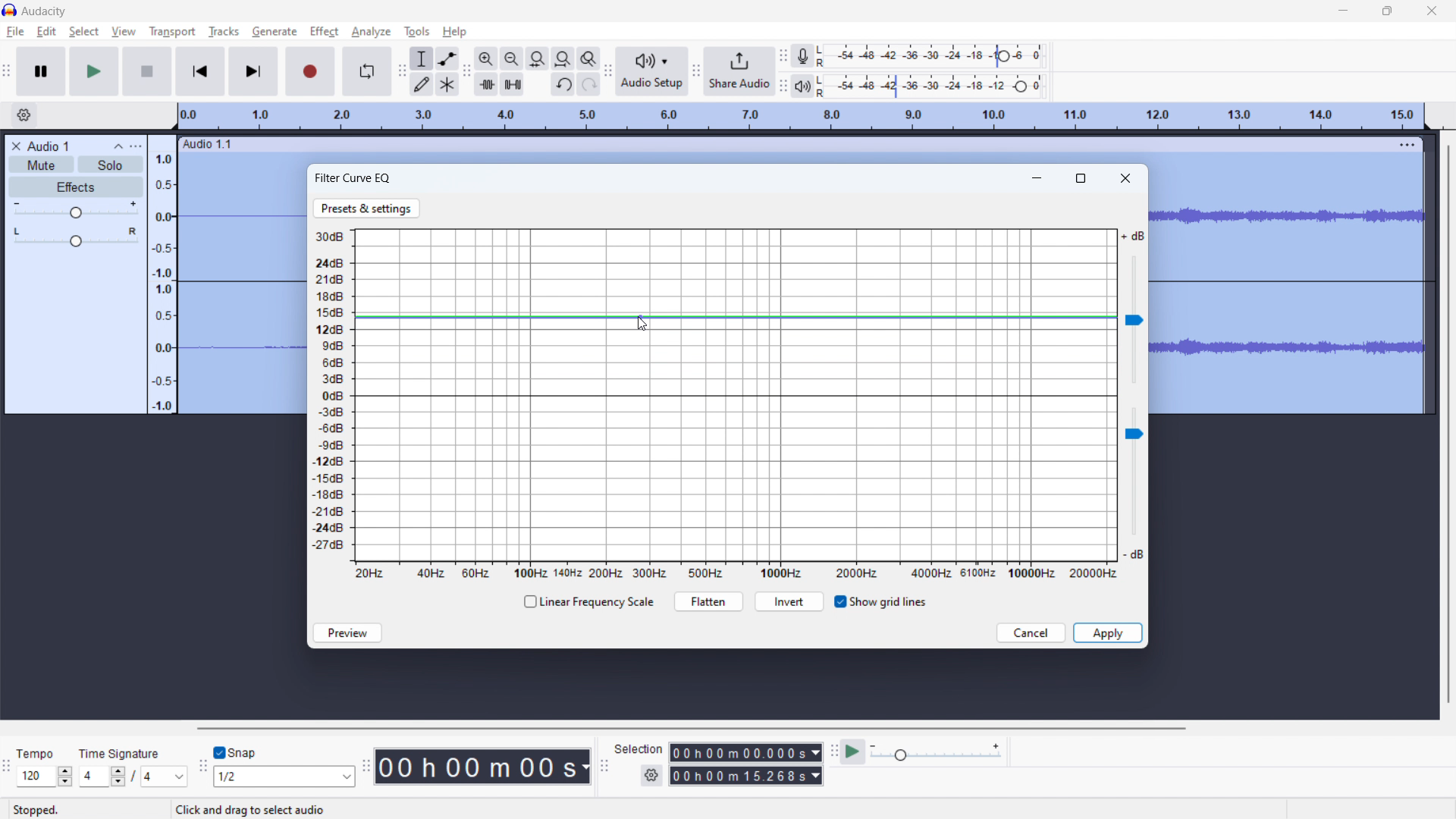  What do you see at coordinates (936, 86) in the screenshot?
I see `playback level` at bounding box center [936, 86].